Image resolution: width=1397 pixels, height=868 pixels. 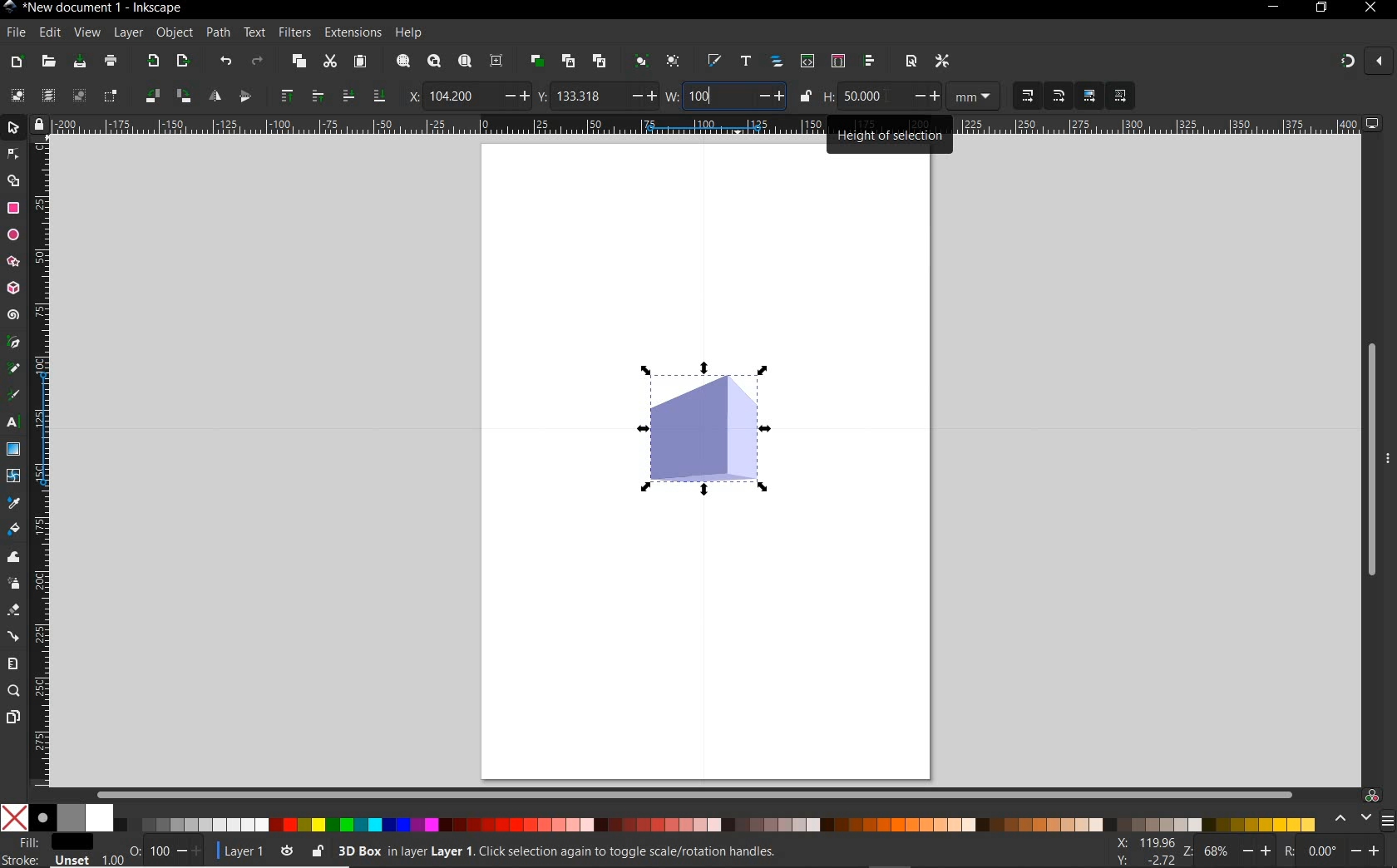 I want to click on extensions, so click(x=351, y=33).